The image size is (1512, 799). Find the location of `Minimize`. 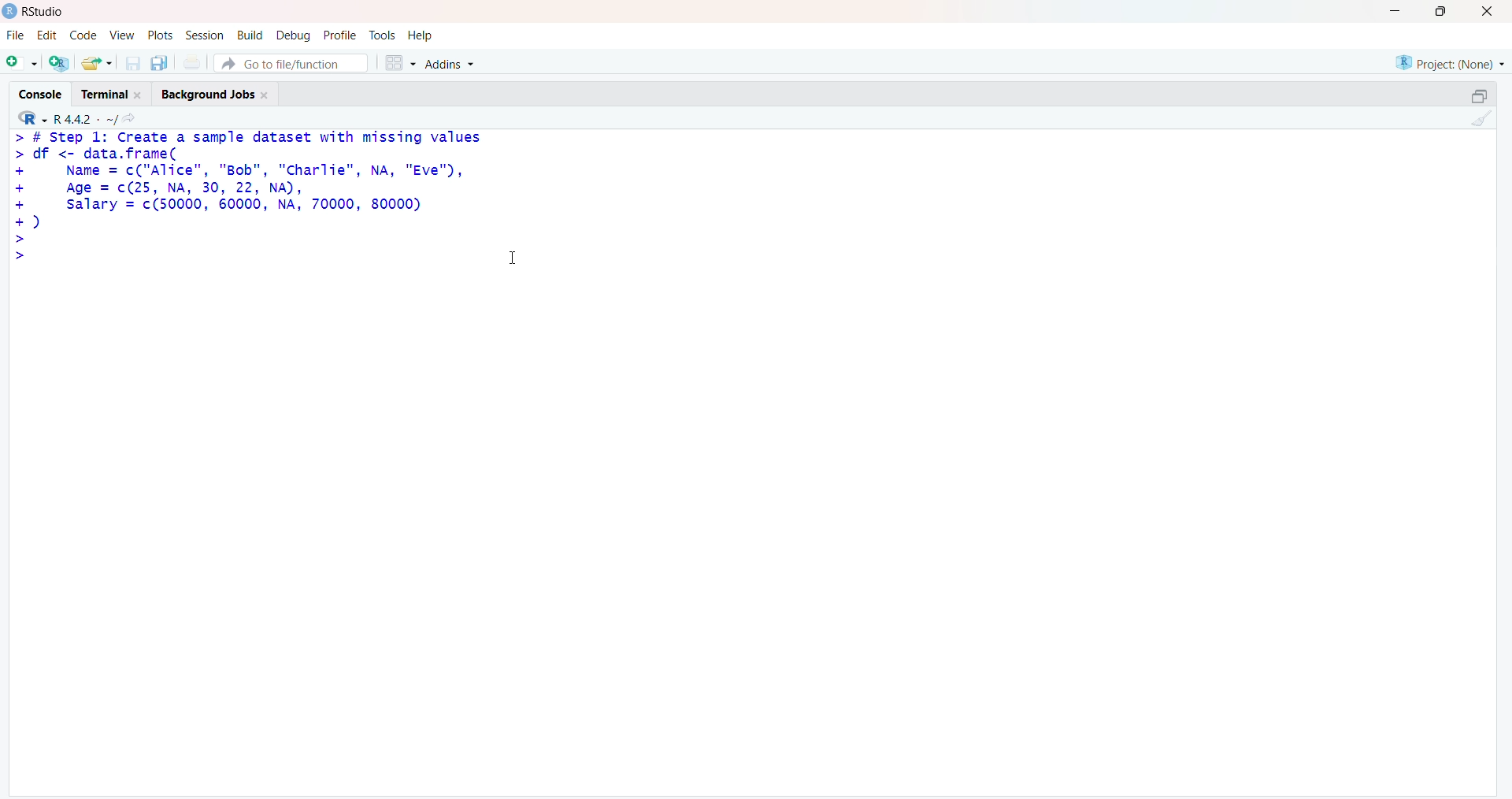

Minimize is located at coordinates (1392, 11).